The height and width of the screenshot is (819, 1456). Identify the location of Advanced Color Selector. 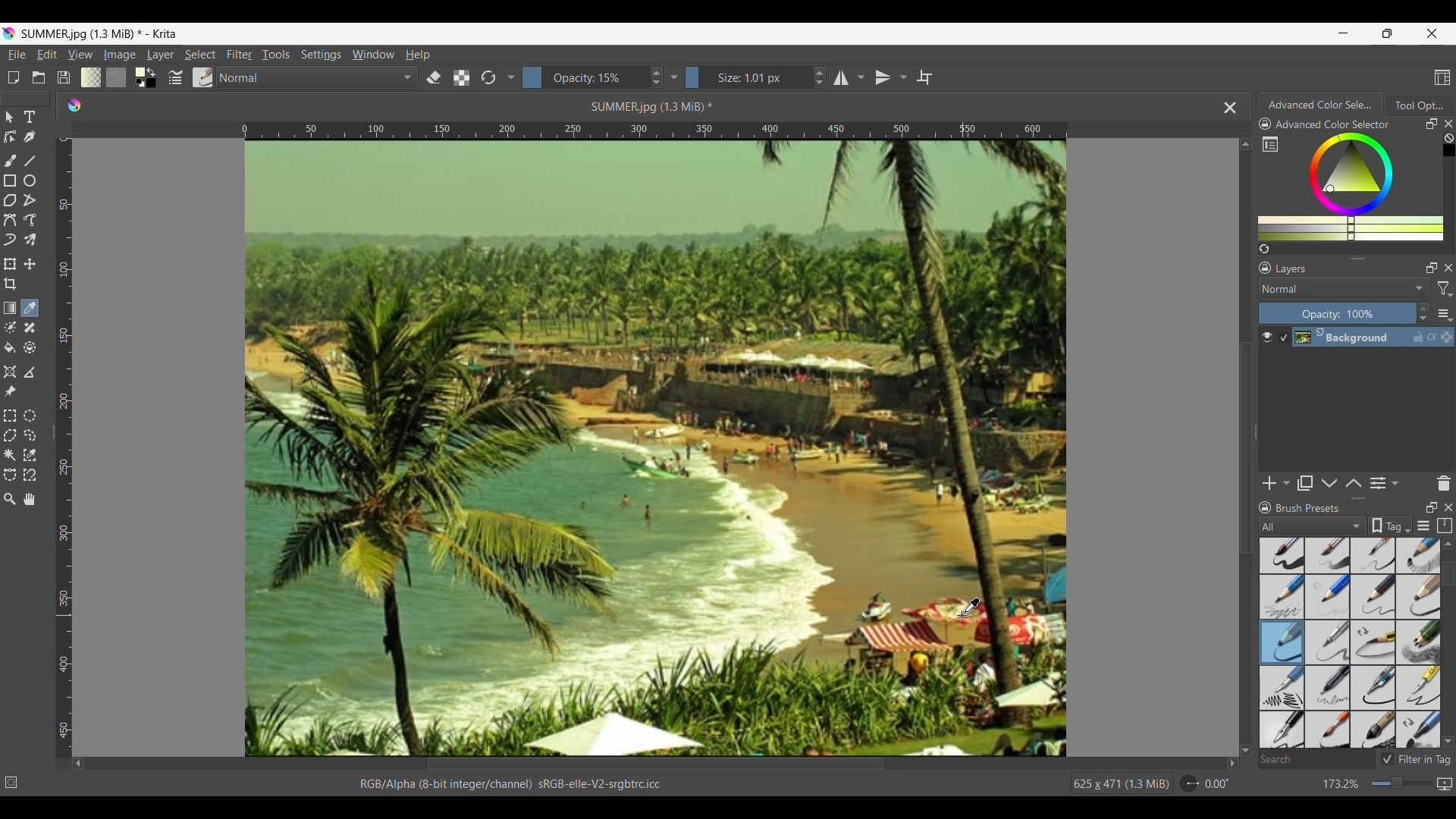
(1333, 124).